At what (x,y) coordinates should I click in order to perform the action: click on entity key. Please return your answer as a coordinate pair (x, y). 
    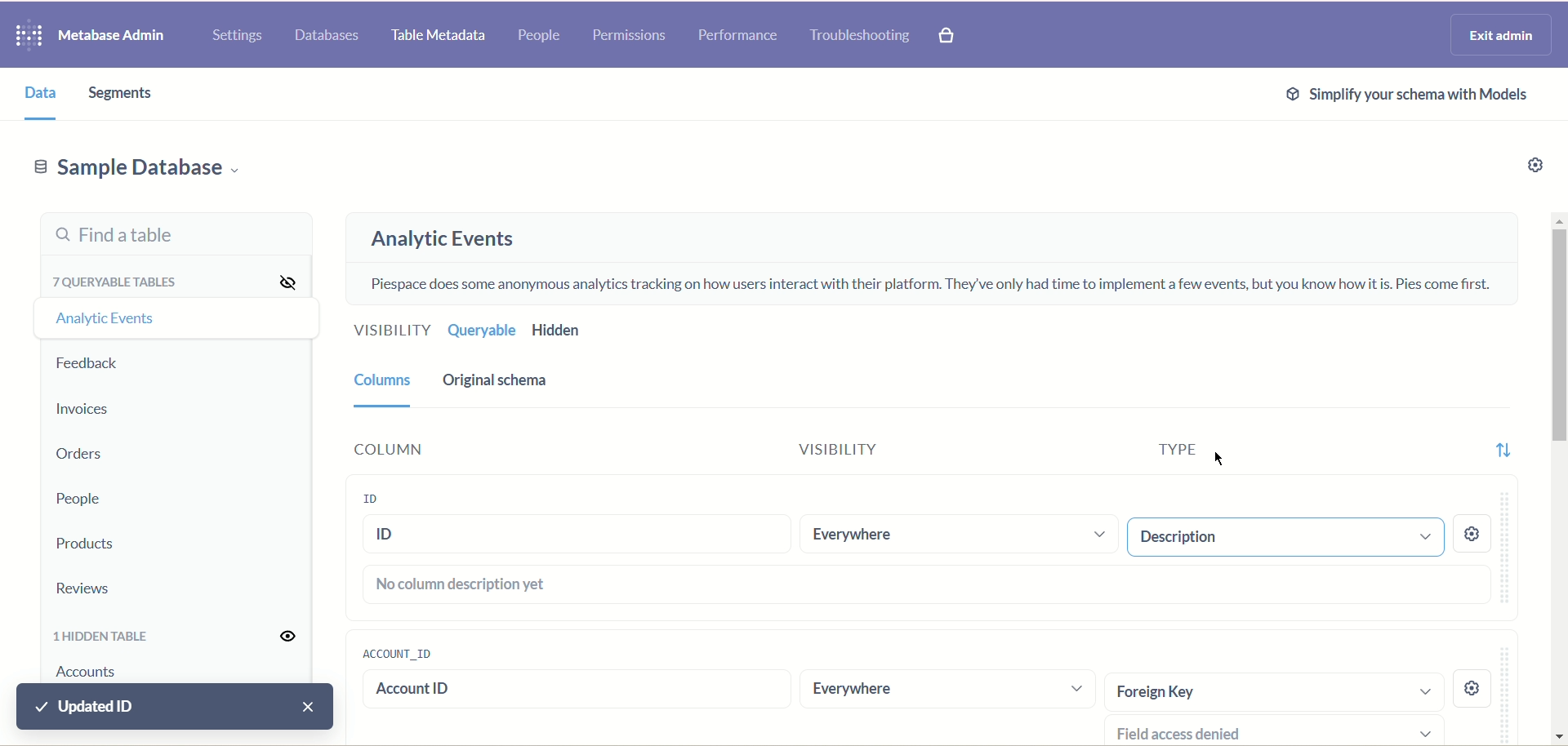
    Looking at the image, I should click on (1287, 536).